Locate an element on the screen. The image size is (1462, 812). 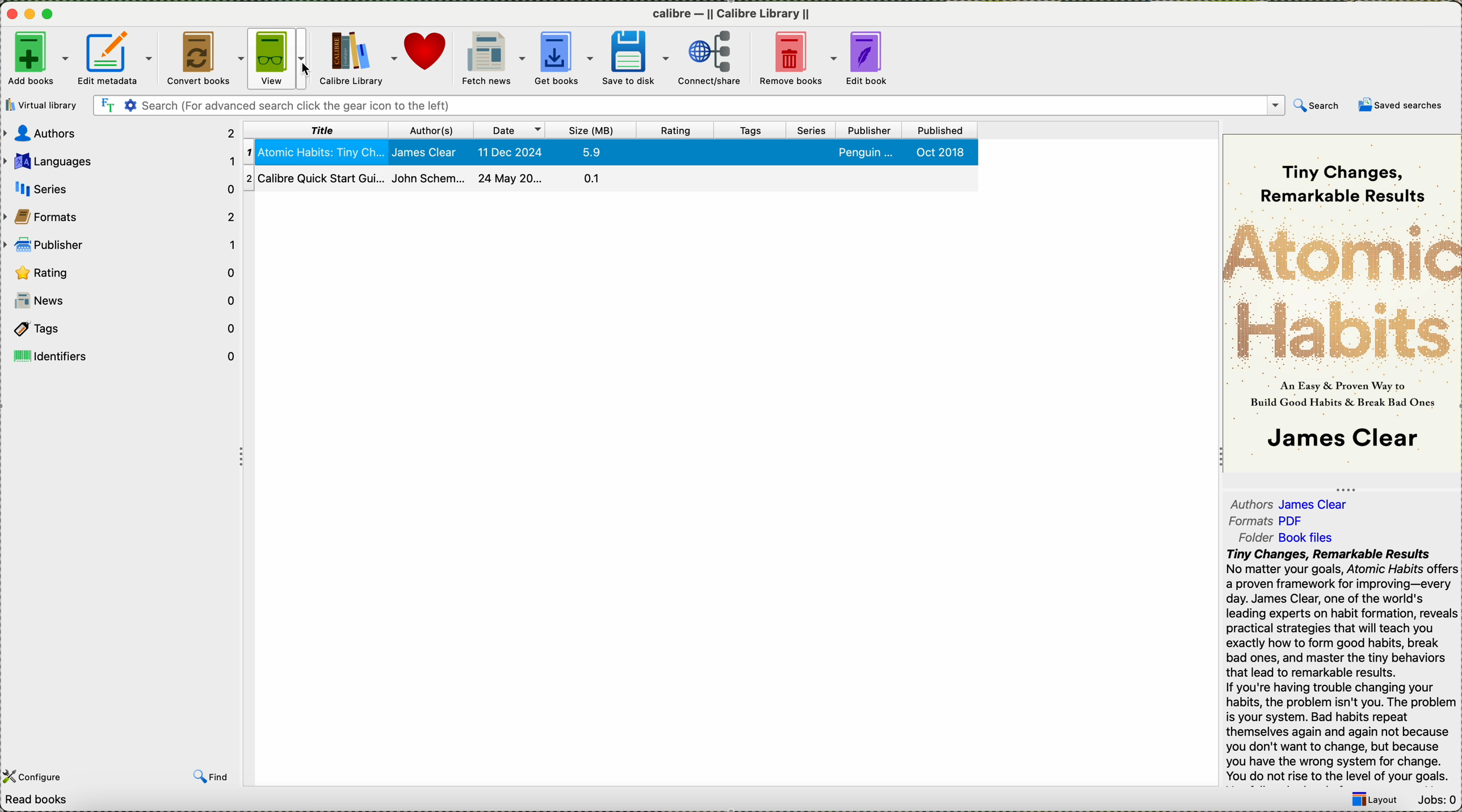
search is located at coordinates (1317, 106).